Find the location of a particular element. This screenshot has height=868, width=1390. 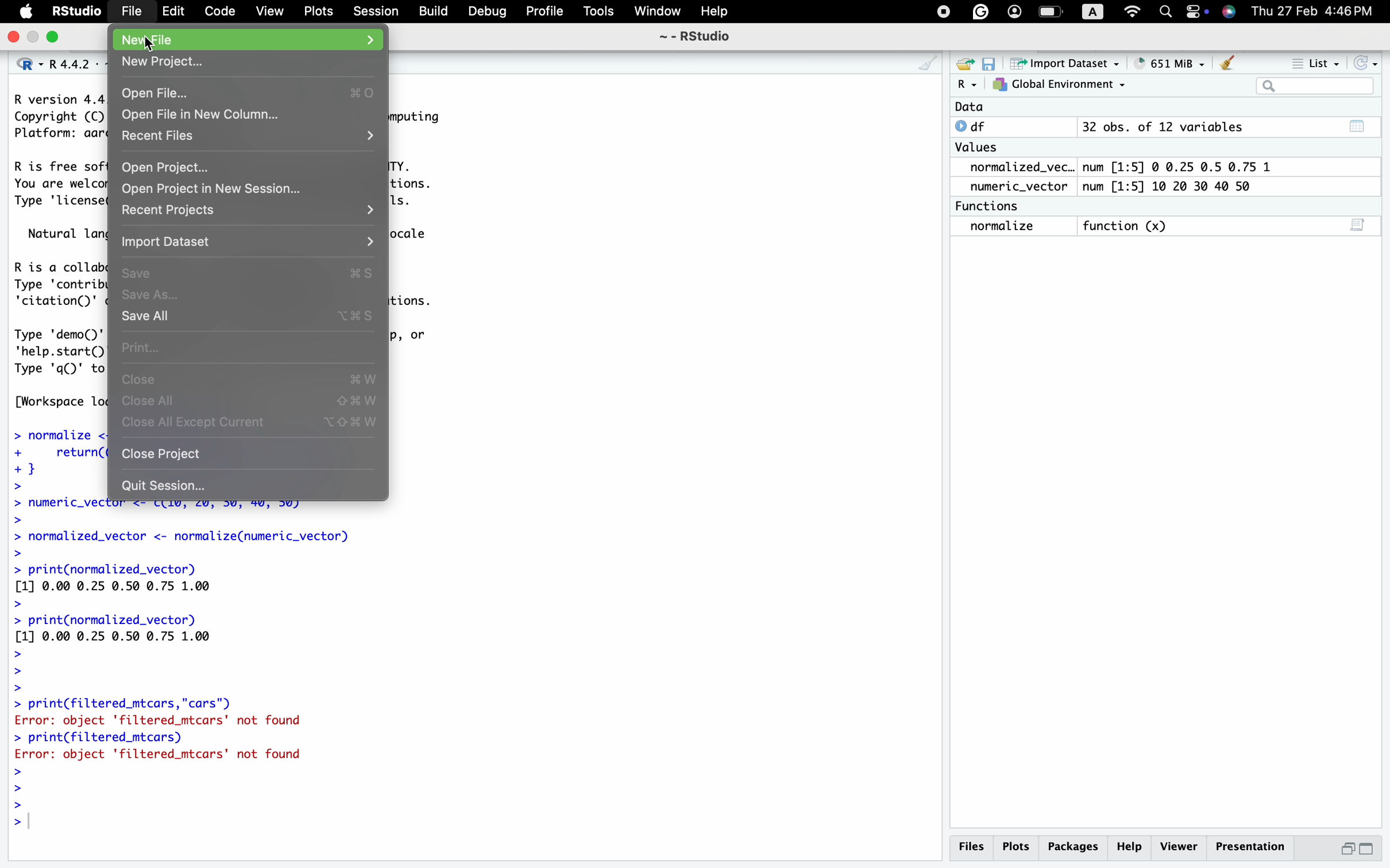

R  is located at coordinates (967, 84).